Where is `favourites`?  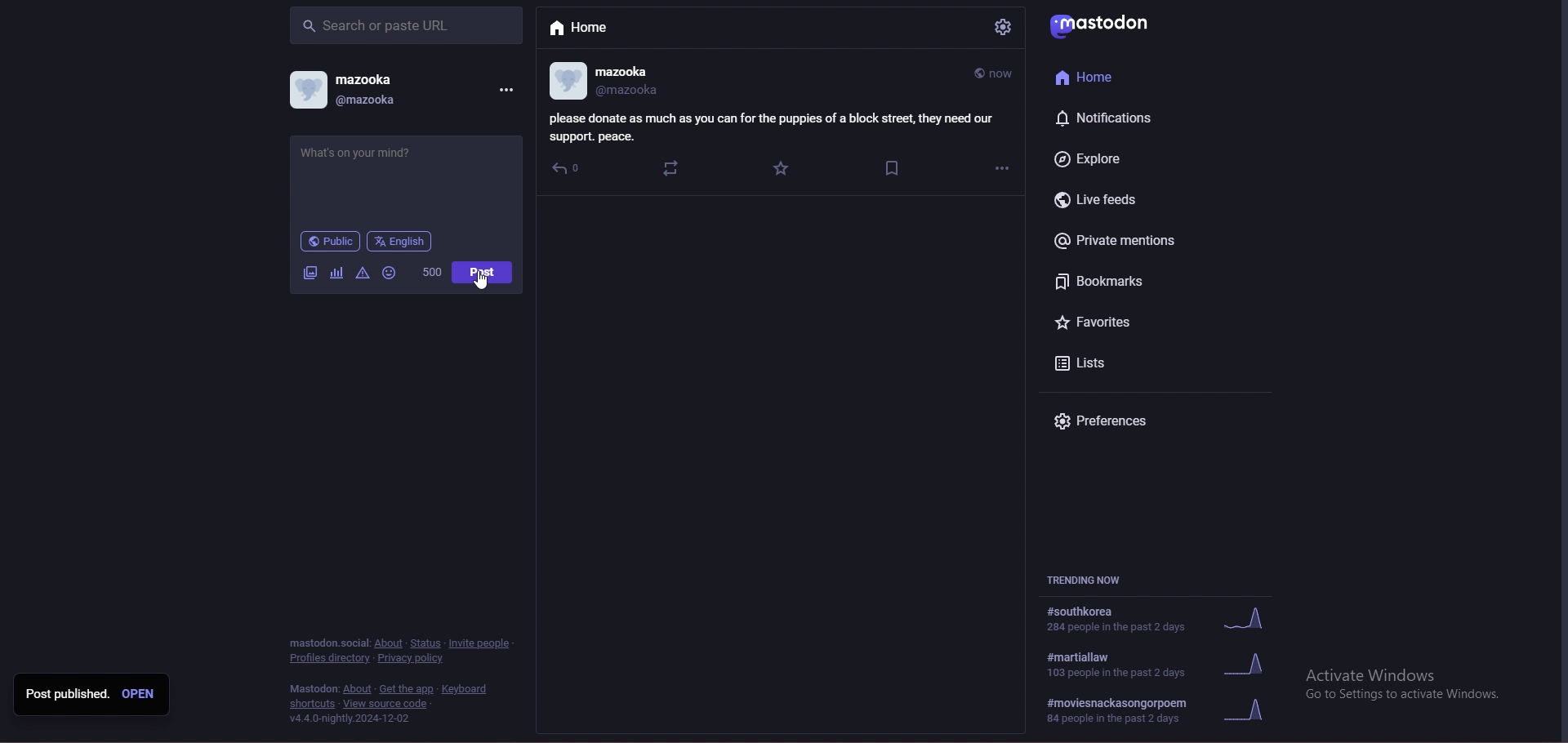 favourites is located at coordinates (1134, 321).